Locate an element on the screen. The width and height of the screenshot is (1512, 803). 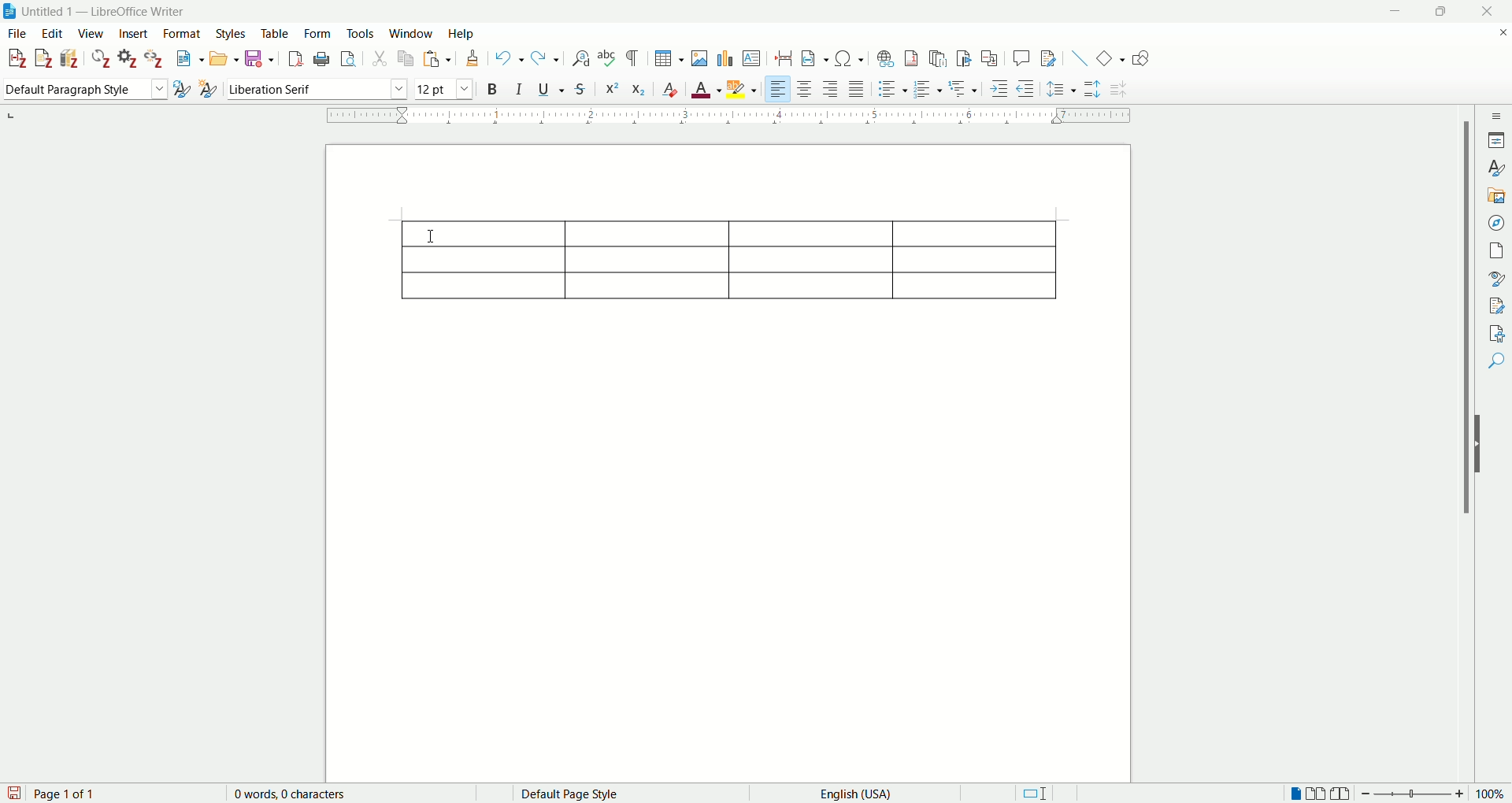
find and replace is located at coordinates (579, 58).